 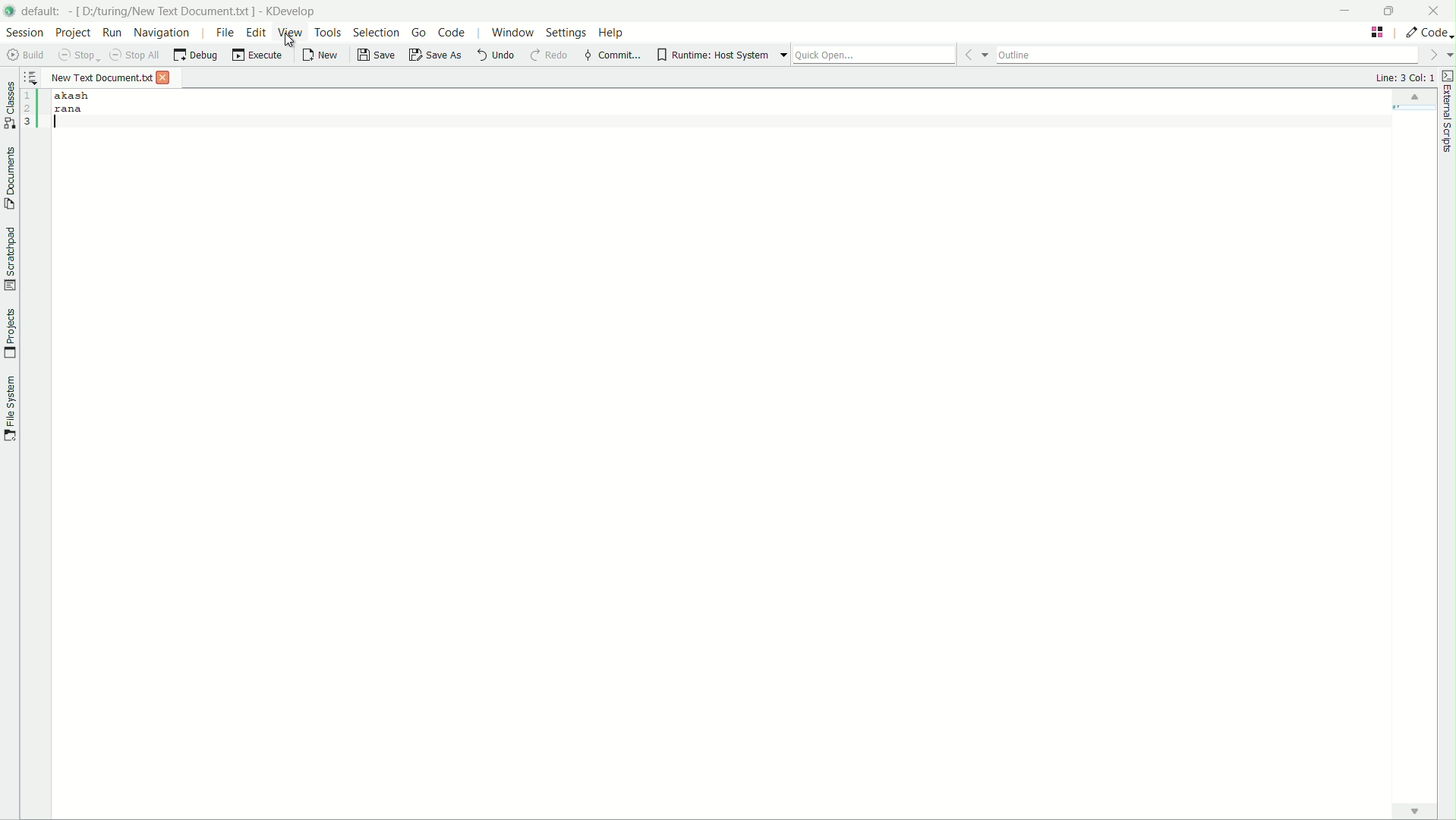 What do you see at coordinates (24, 32) in the screenshot?
I see `session menu` at bounding box center [24, 32].